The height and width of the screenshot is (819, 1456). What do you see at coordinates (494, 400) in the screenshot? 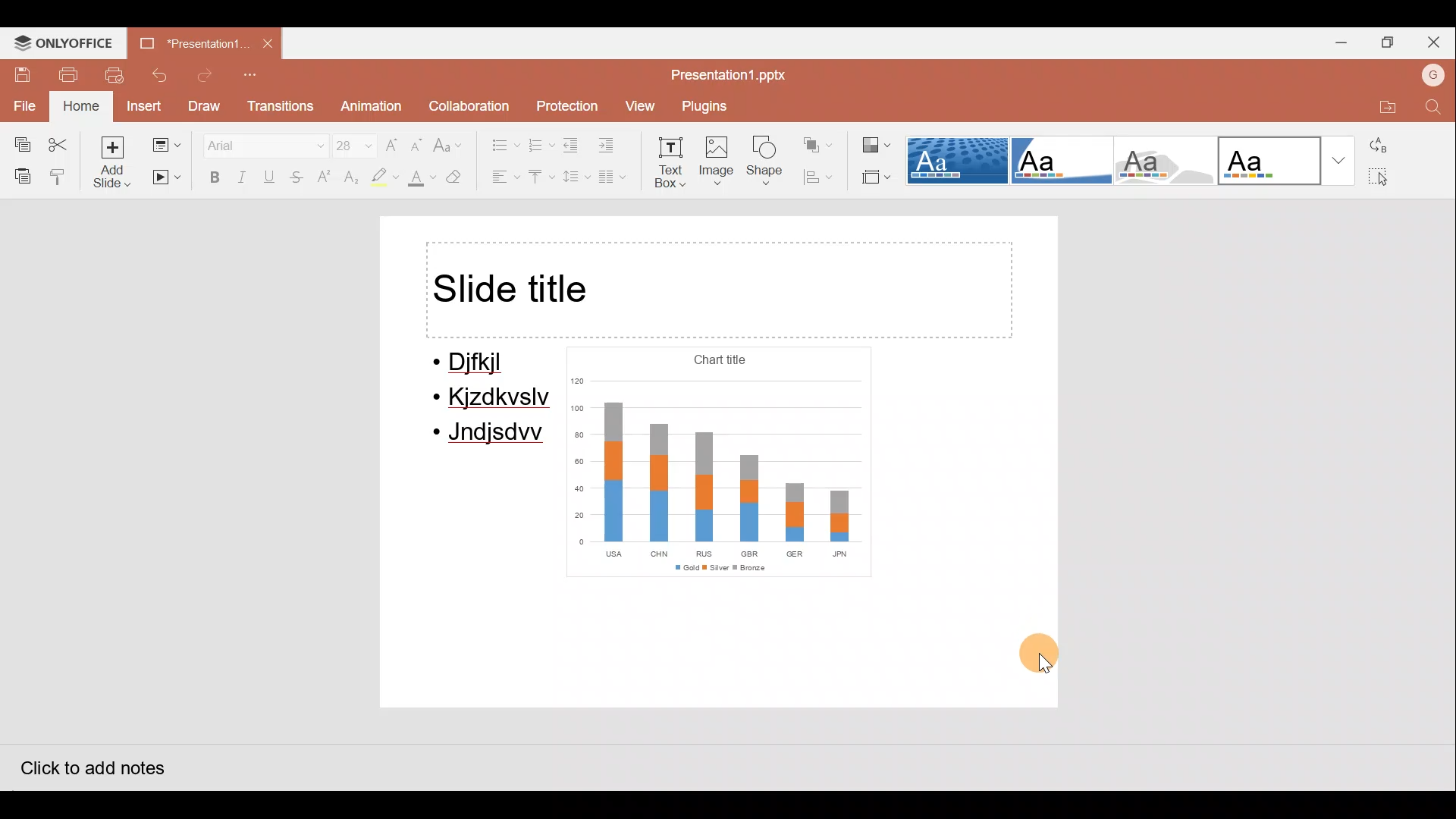
I see `Kjzdkvslv` at bounding box center [494, 400].